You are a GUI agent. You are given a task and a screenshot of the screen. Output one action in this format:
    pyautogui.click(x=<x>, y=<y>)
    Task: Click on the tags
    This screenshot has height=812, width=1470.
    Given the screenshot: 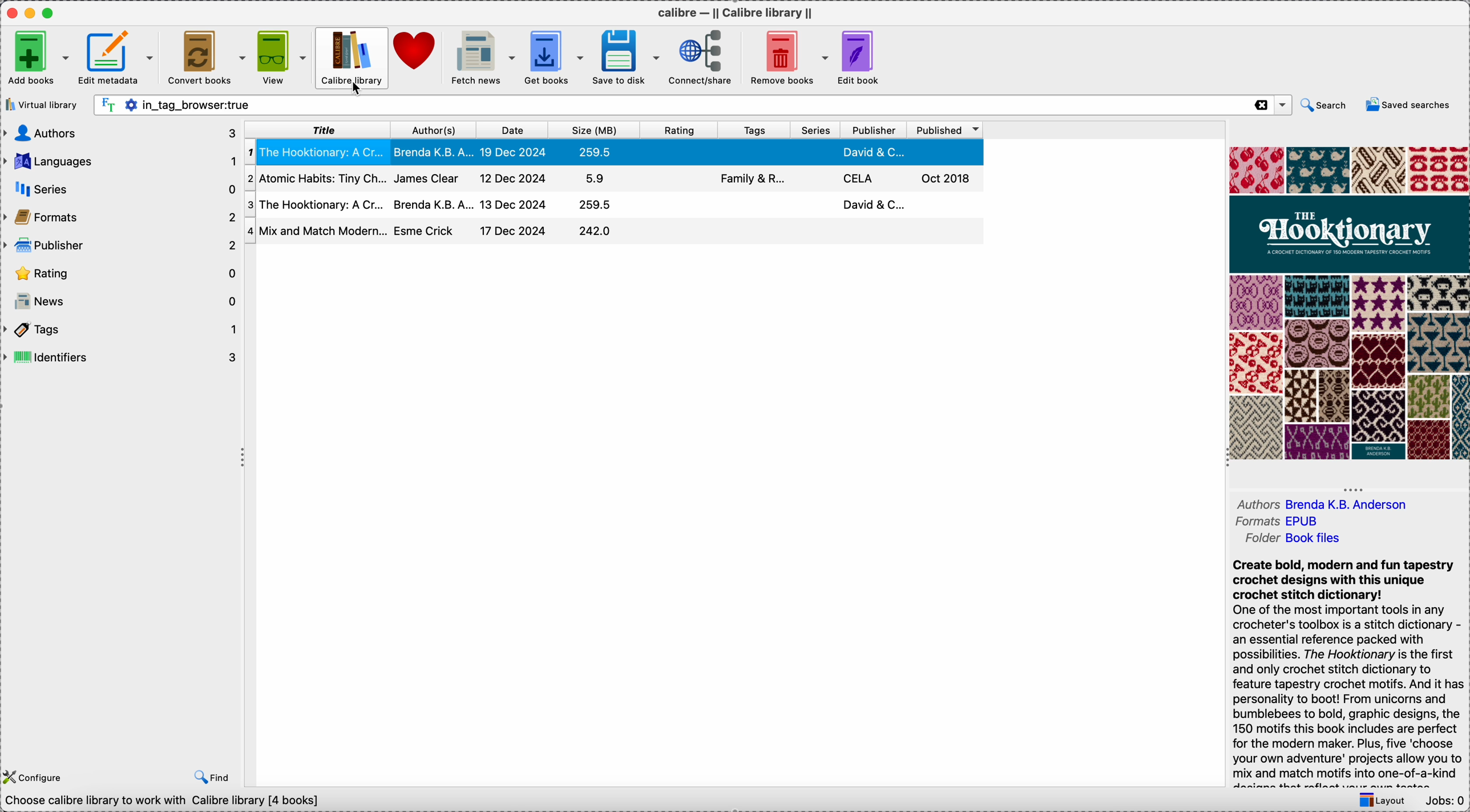 What is the action you would take?
    pyautogui.click(x=754, y=130)
    